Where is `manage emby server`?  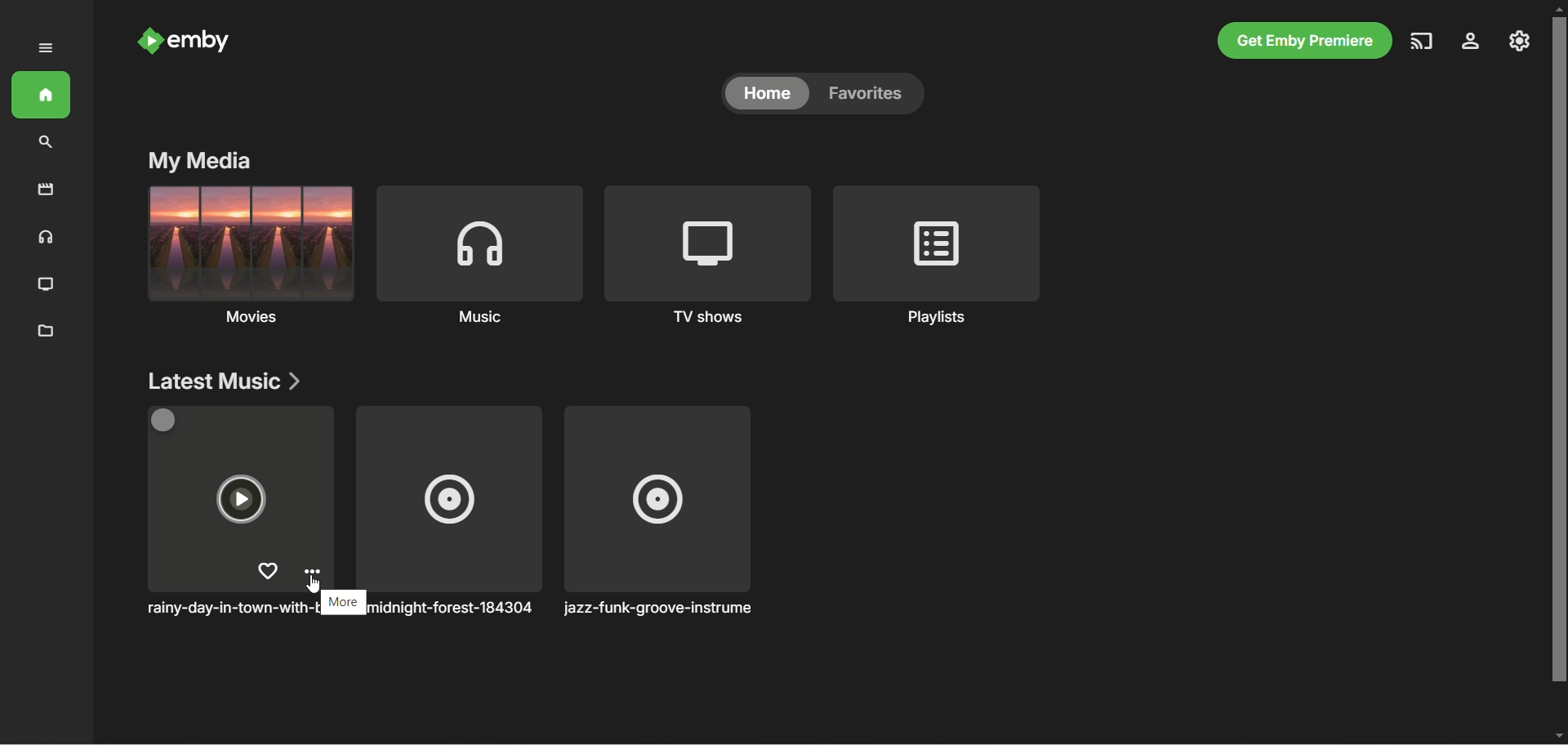
manage emby server is located at coordinates (1520, 41).